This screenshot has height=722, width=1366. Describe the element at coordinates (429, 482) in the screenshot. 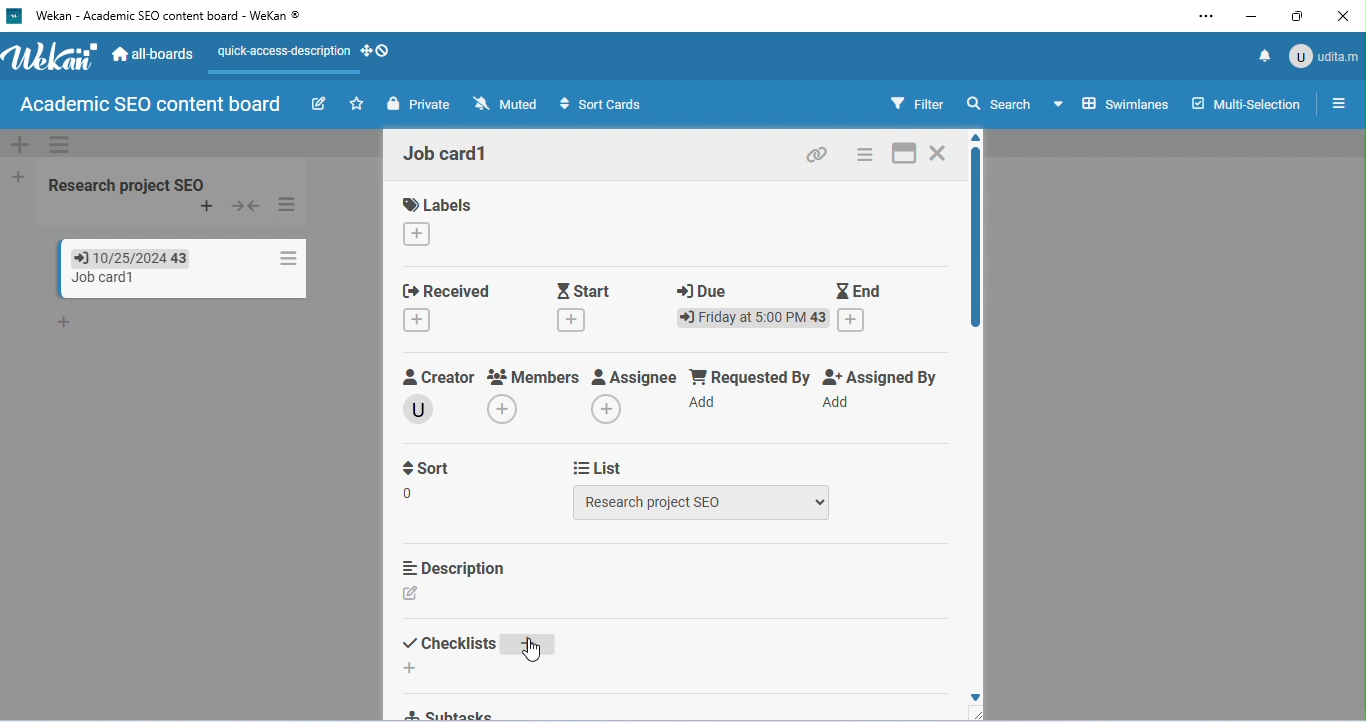

I see `sort` at that location.